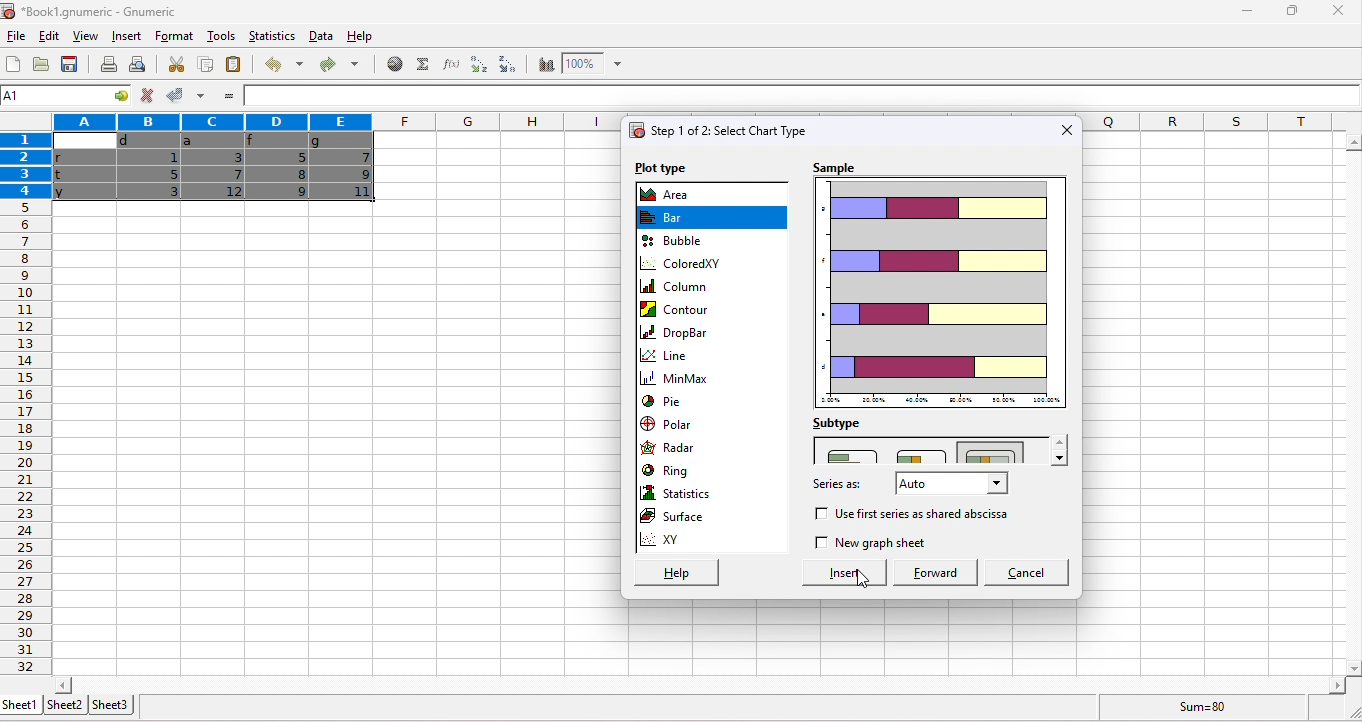 This screenshot has height=722, width=1362. What do you see at coordinates (1067, 130) in the screenshot?
I see `exit` at bounding box center [1067, 130].